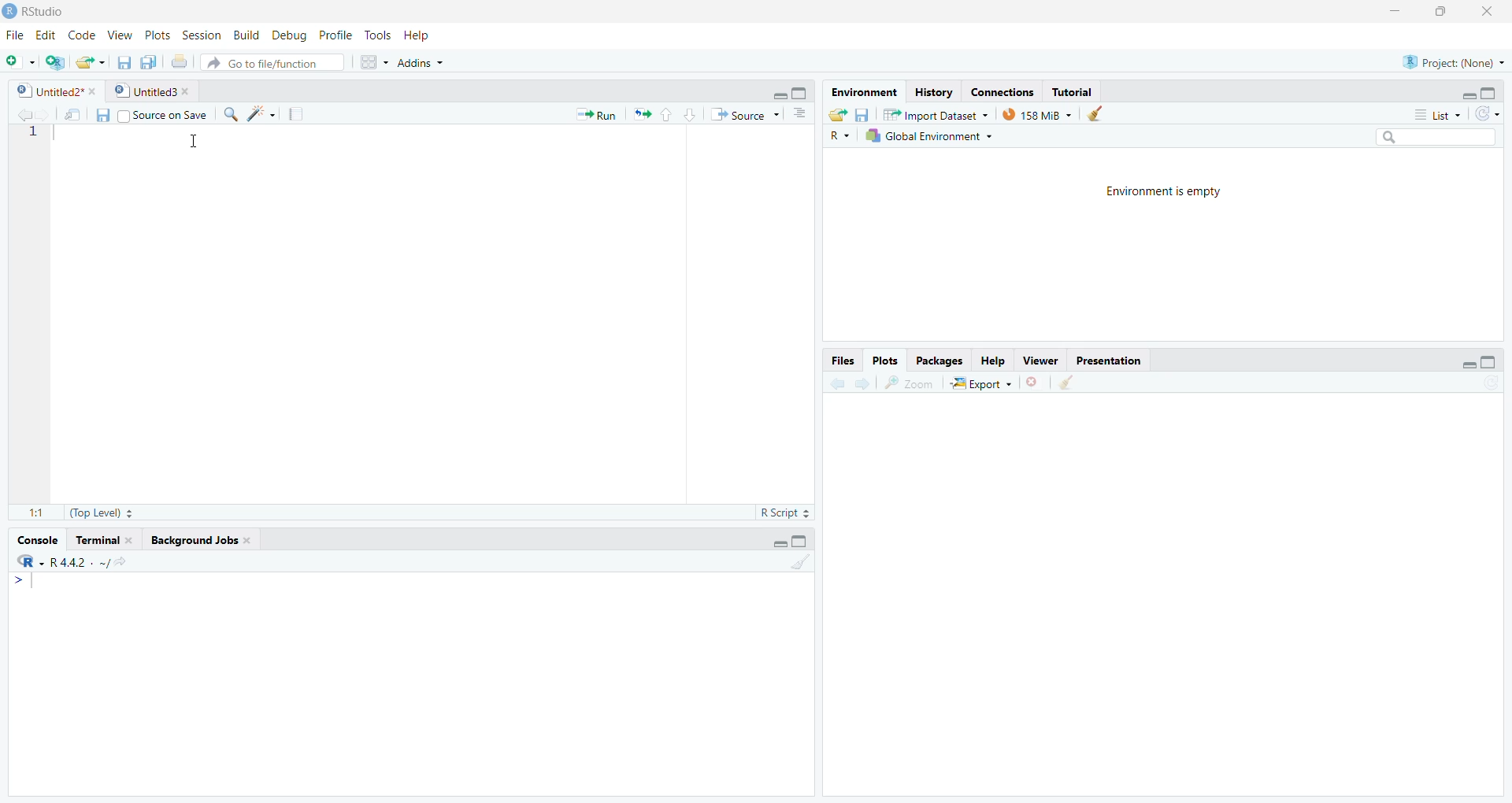 The width and height of the screenshot is (1512, 803). I want to click on Plots, so click(157, 32).